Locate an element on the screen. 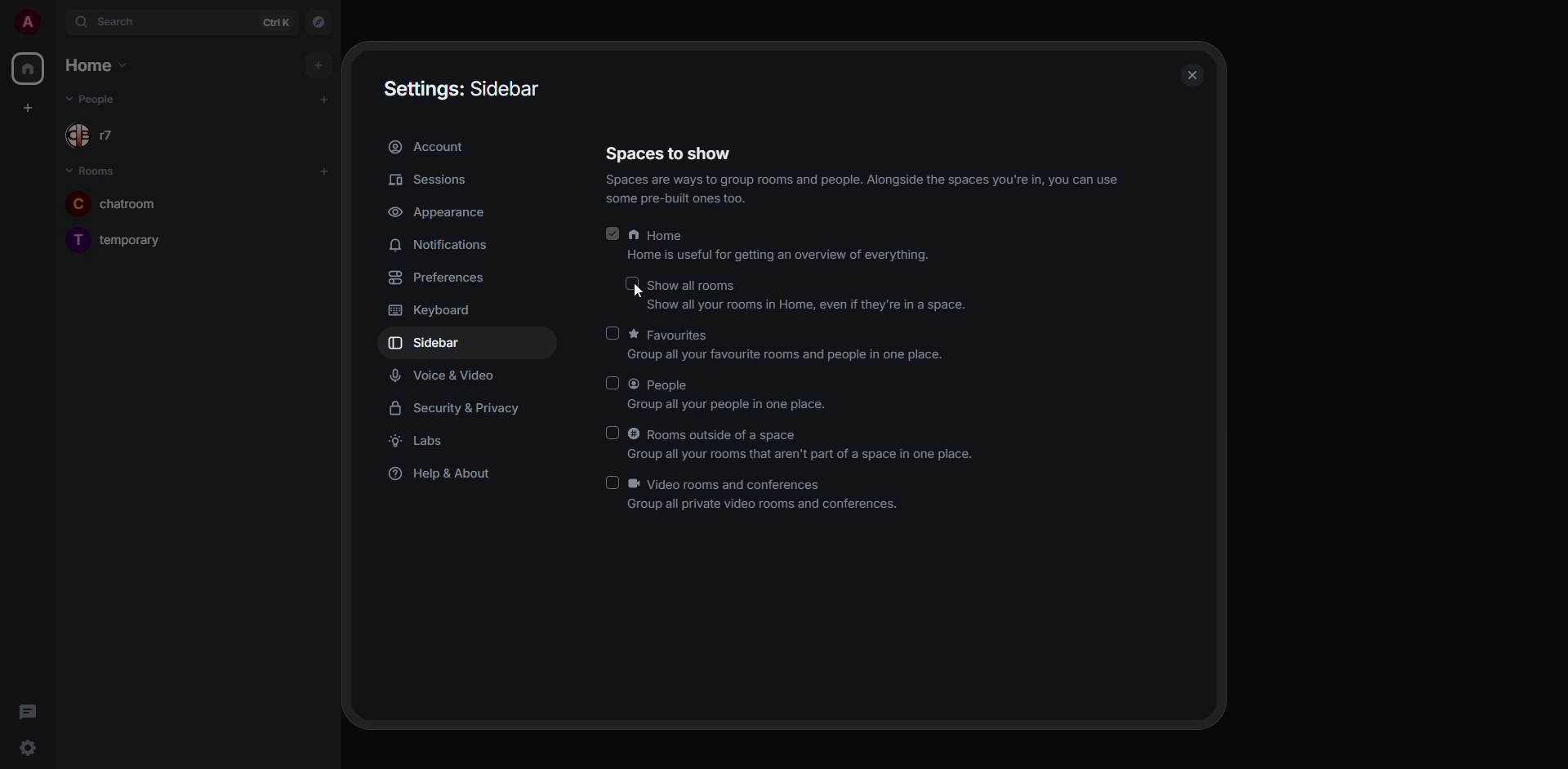  home is located at coordinates (28, 69).